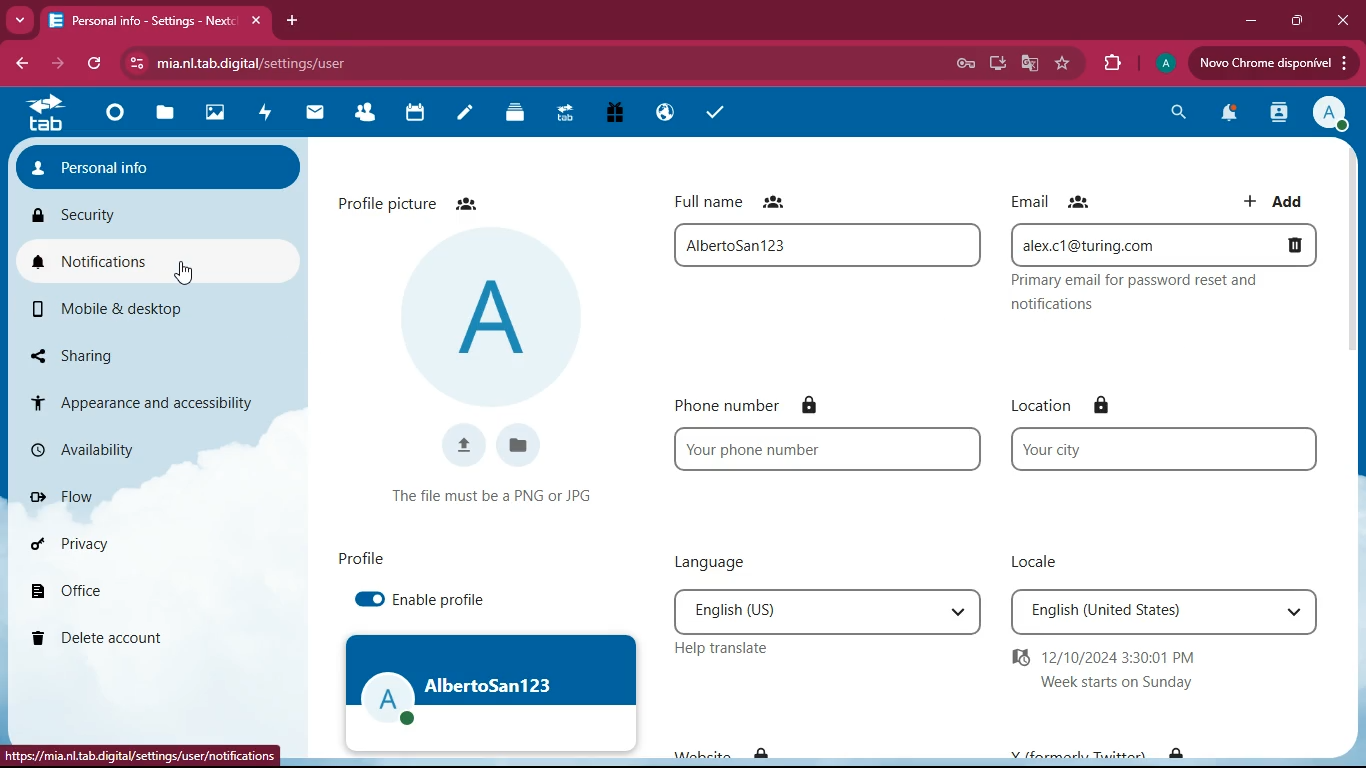  Describe the element at coordinates (18, 20) in the screenshot. I see `more` at that location.